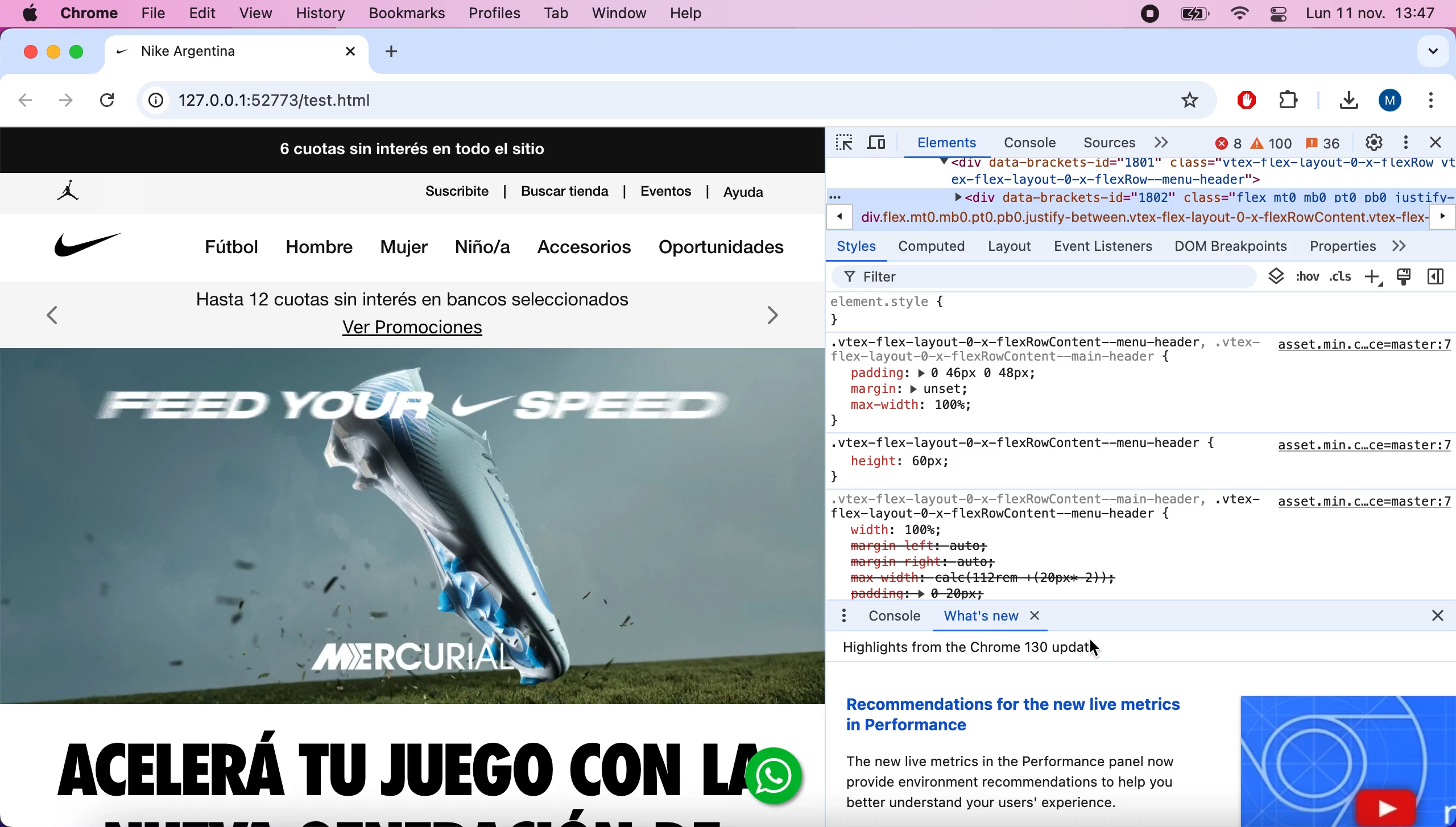  What do you see at coordinates (84, 249) in the screenshot?
I see `Nike Logo` at bounding box center [84, 249].